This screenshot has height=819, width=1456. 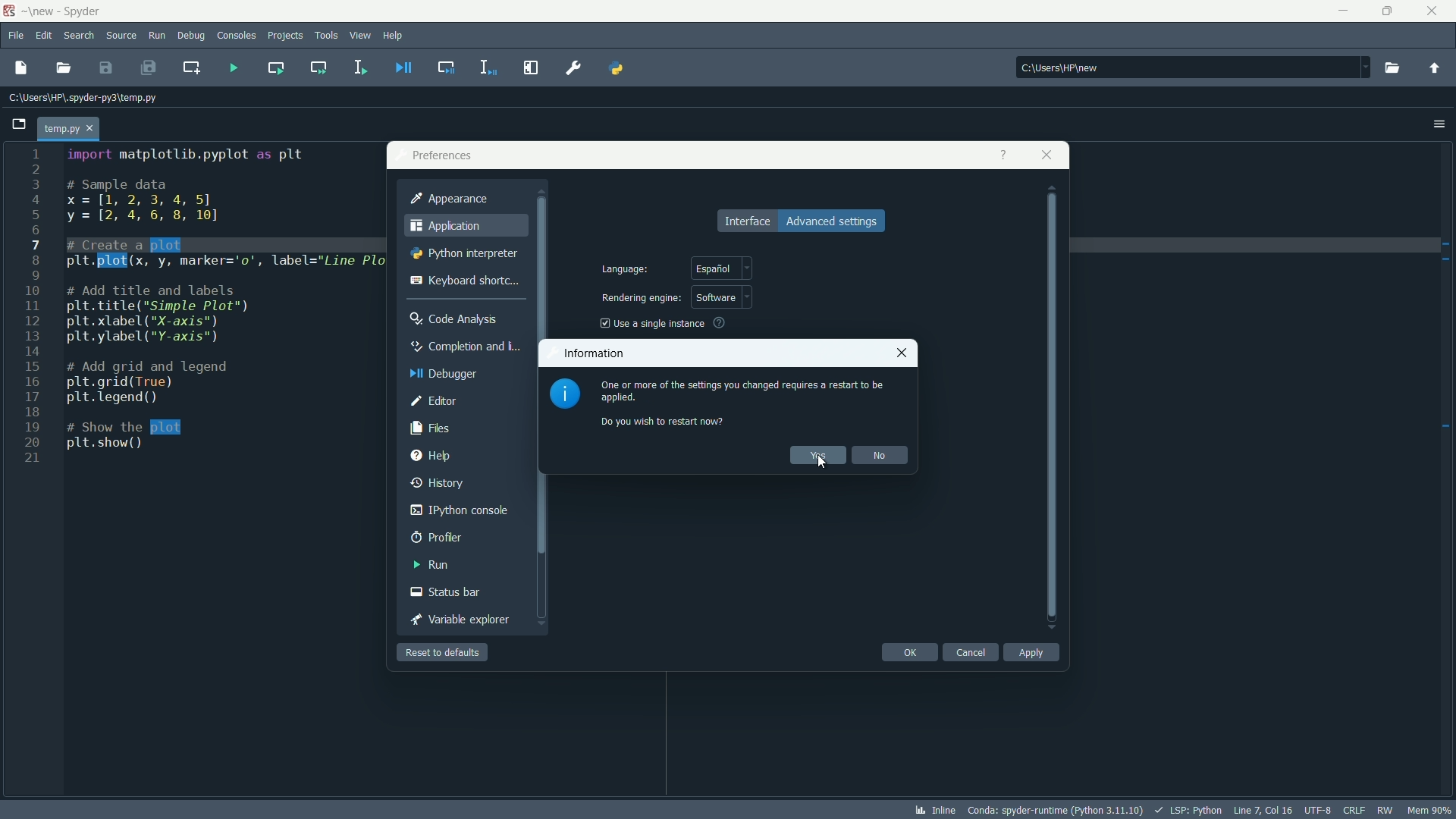 I want to click on app icon, so click(x=11, y=13).